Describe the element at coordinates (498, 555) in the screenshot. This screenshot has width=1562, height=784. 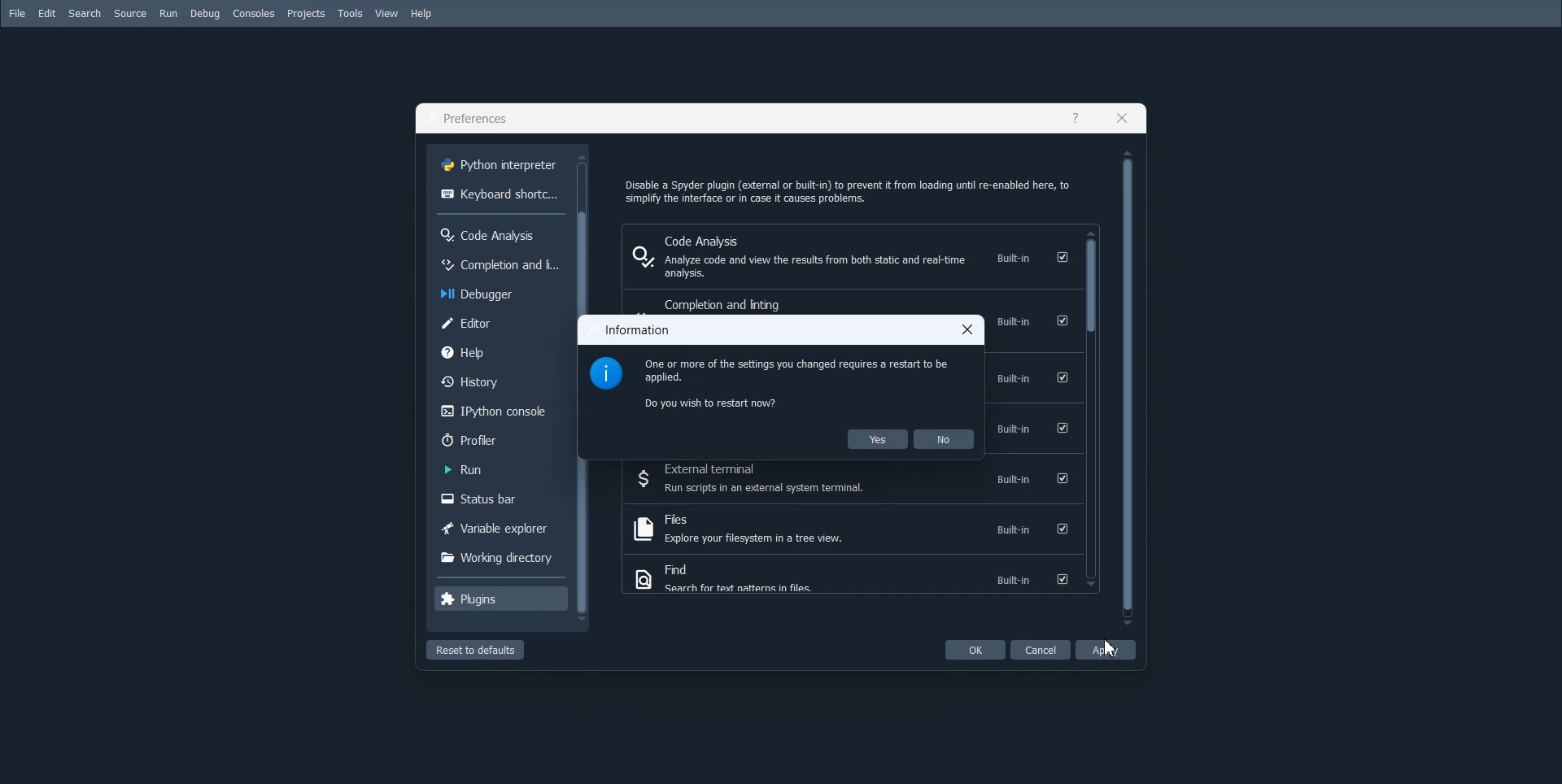
I see `Working directory` at that location.